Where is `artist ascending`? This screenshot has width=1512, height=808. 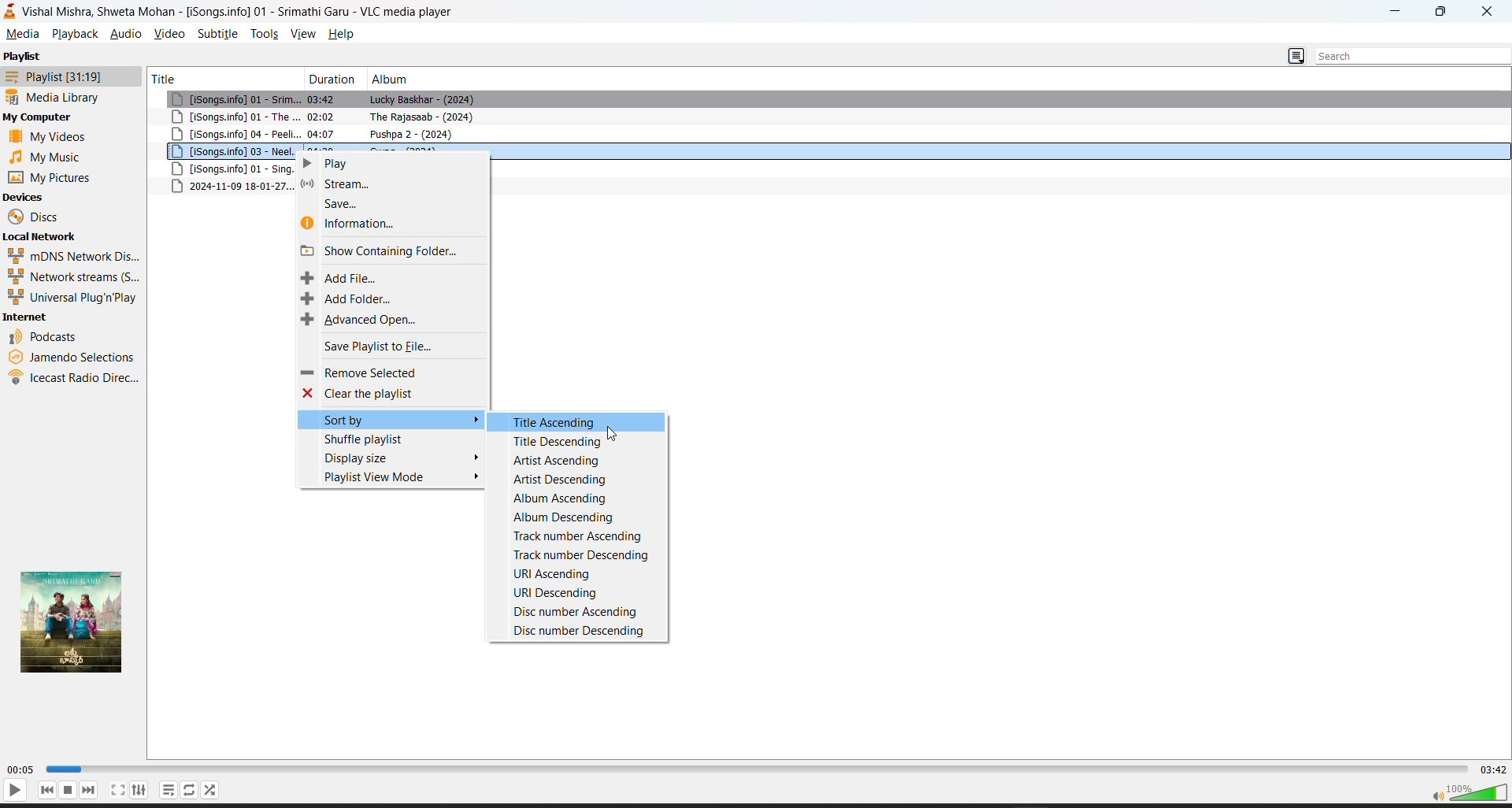 artist ascending is located at coordinates (580, 458).